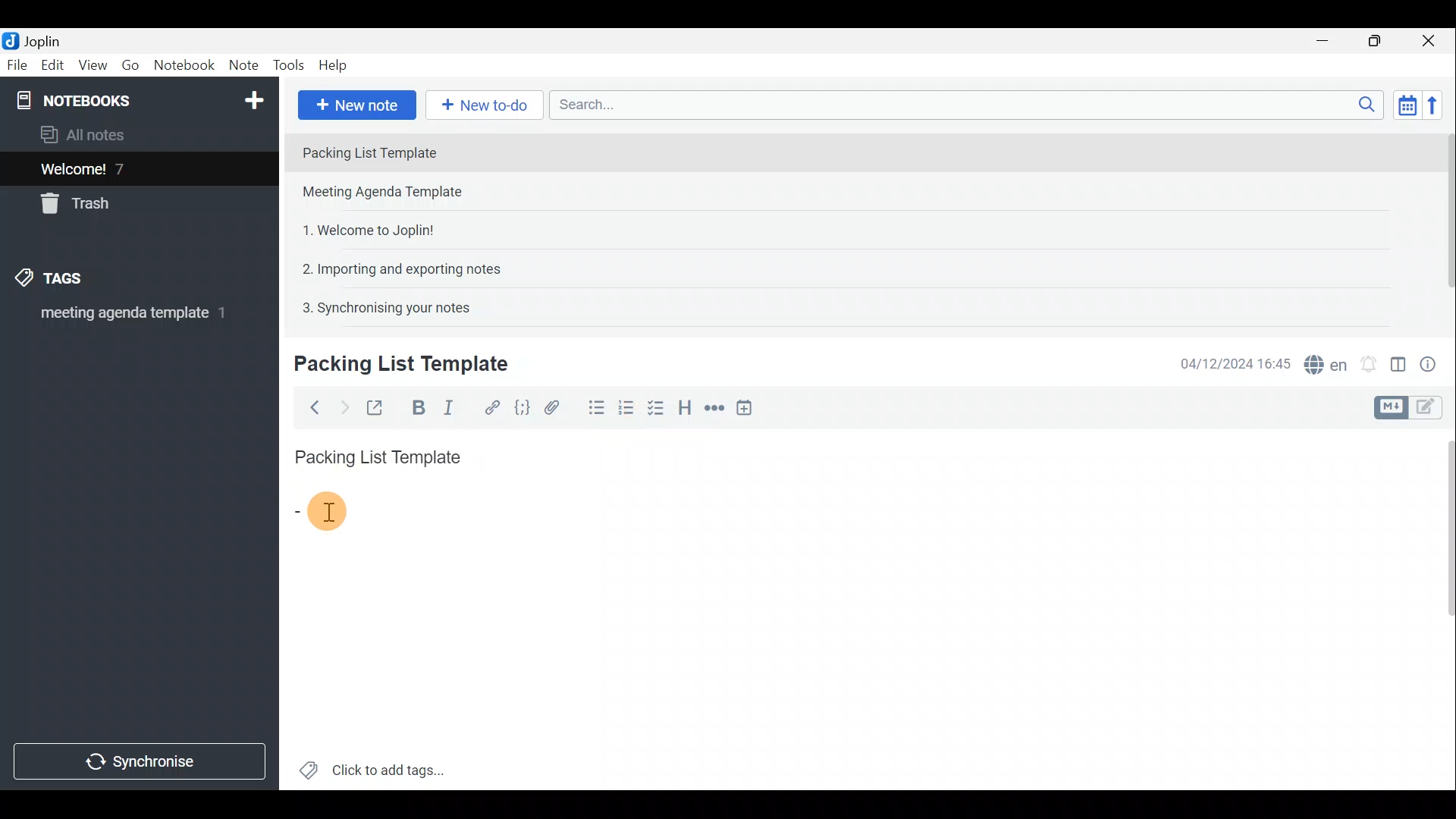 The width and height of the screenshot is (1456, 819). Describe the element at coordinates (1322, 362) in the screenshot. I see `Spell checker` at that location.